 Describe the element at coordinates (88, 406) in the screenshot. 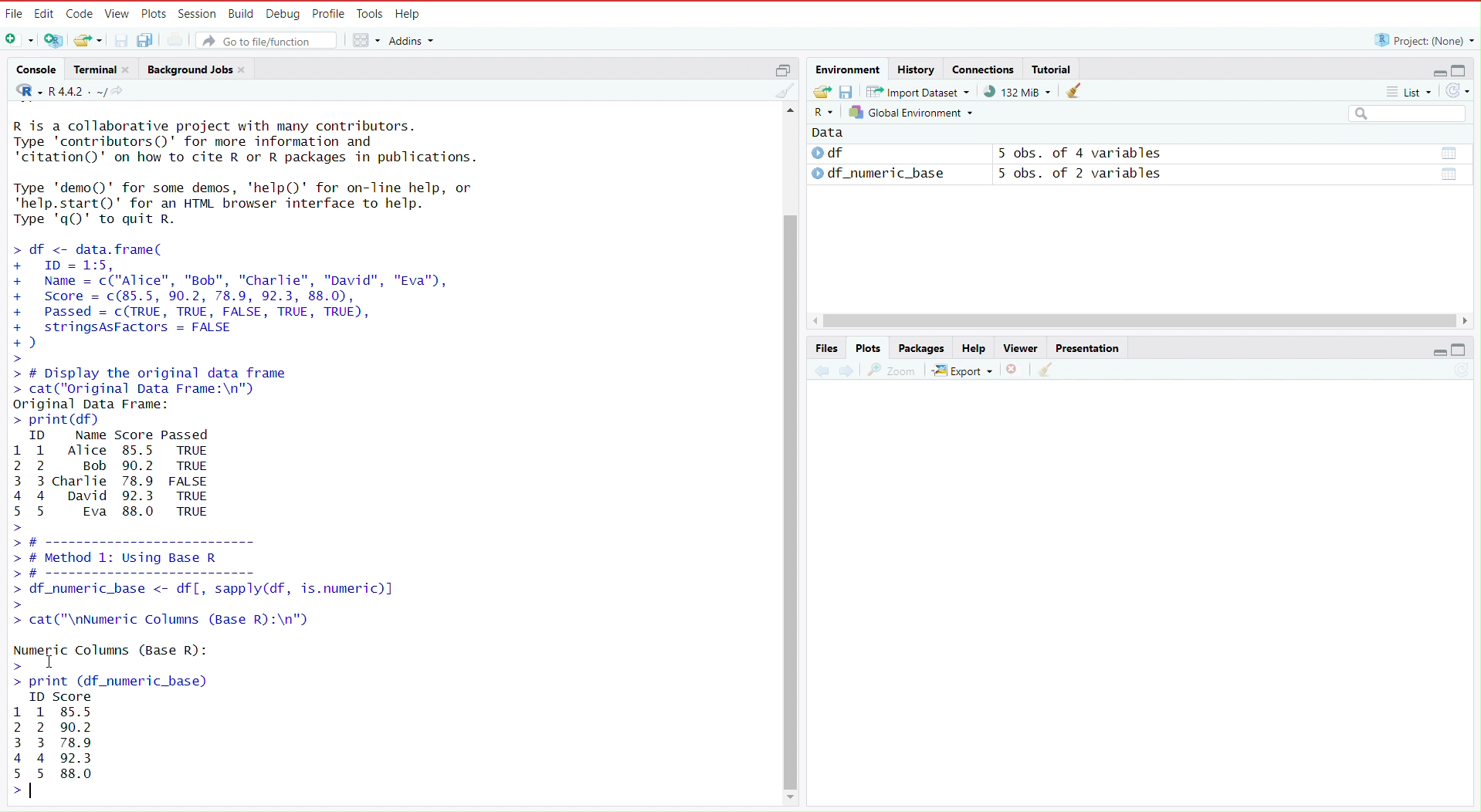

I see `original Data frame:` at that location.